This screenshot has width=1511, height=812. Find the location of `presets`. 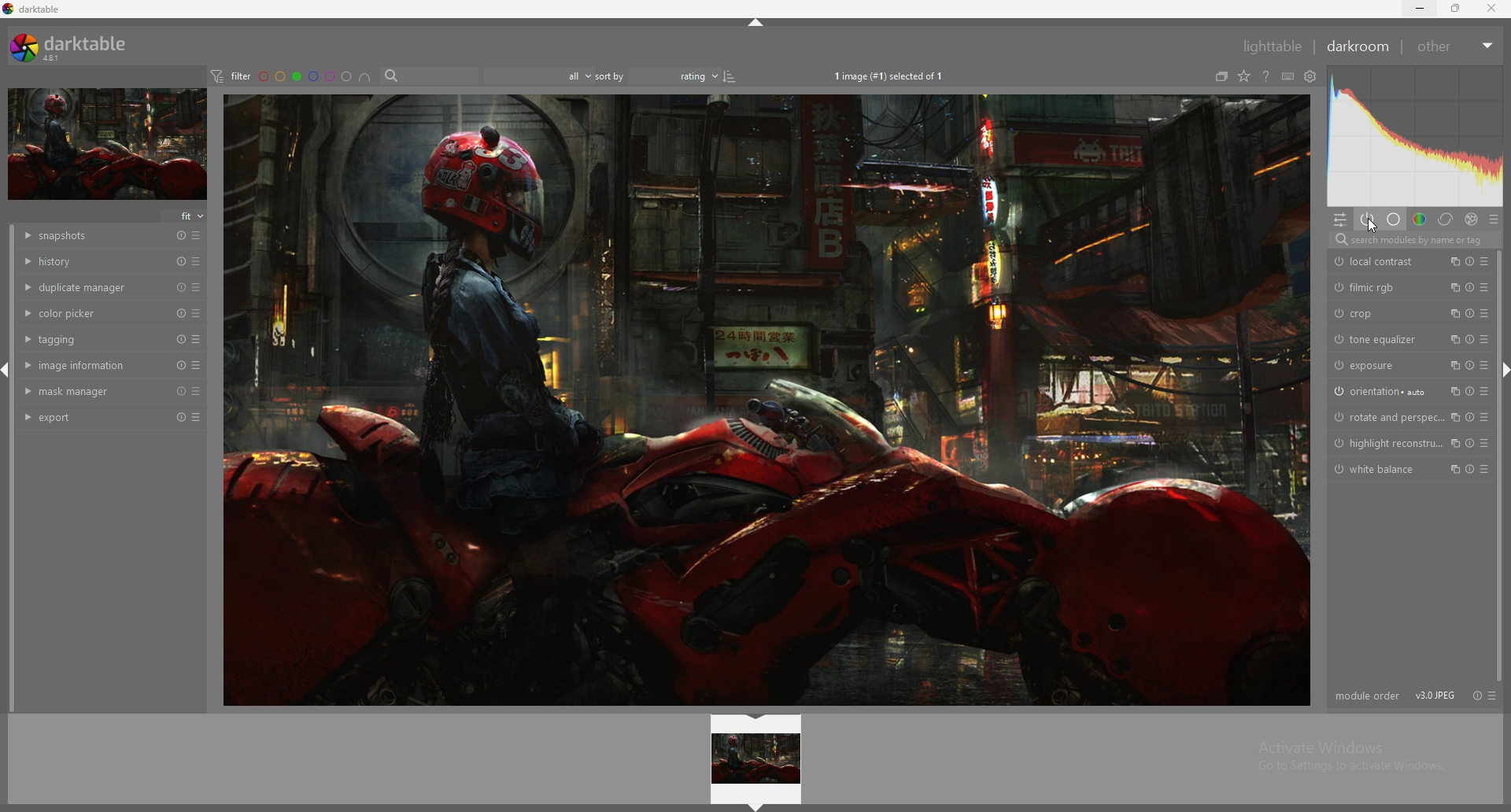

presets is located at coordinates (1486, 339).